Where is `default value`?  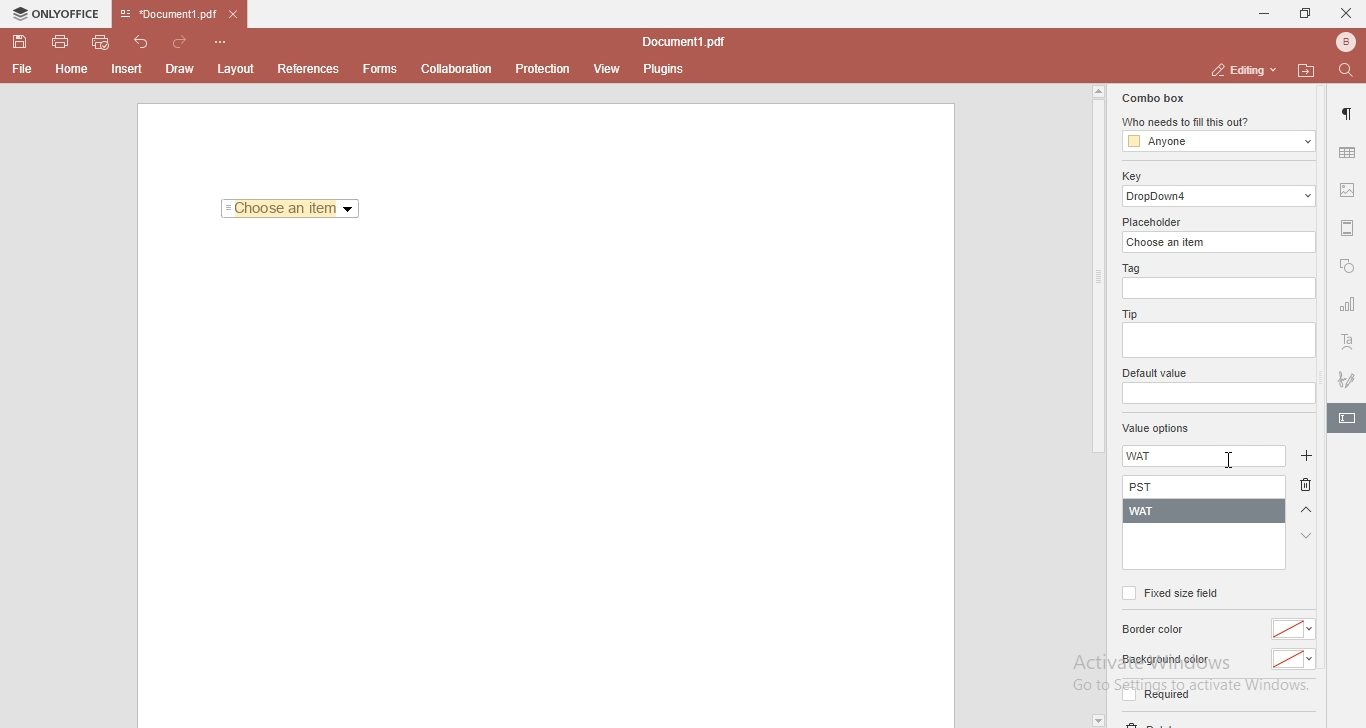
default value is located at coordinates (1157, 374).